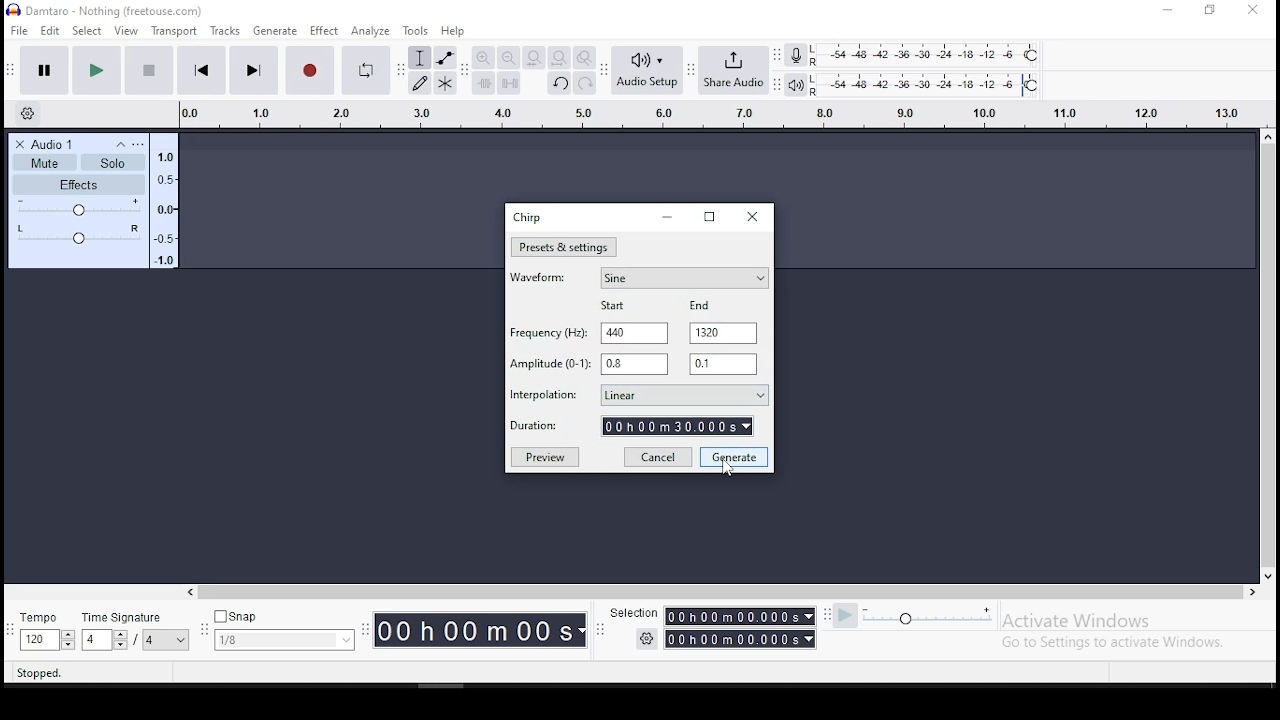 The width and height of the screenshot is (1280, 720). What do you see at coordinates (544, 456) in the screenshot?
I see `preview` at bounding box center [544, 456].